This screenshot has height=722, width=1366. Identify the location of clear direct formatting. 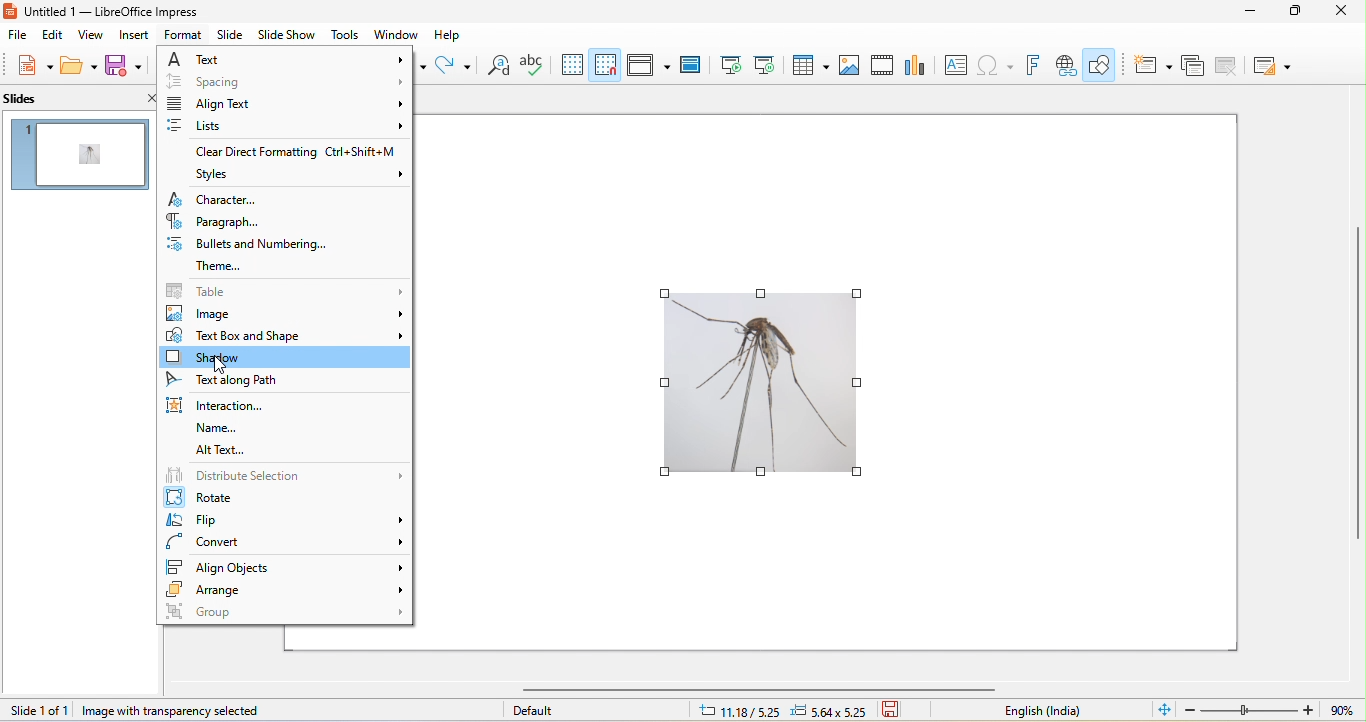
(282, 151).